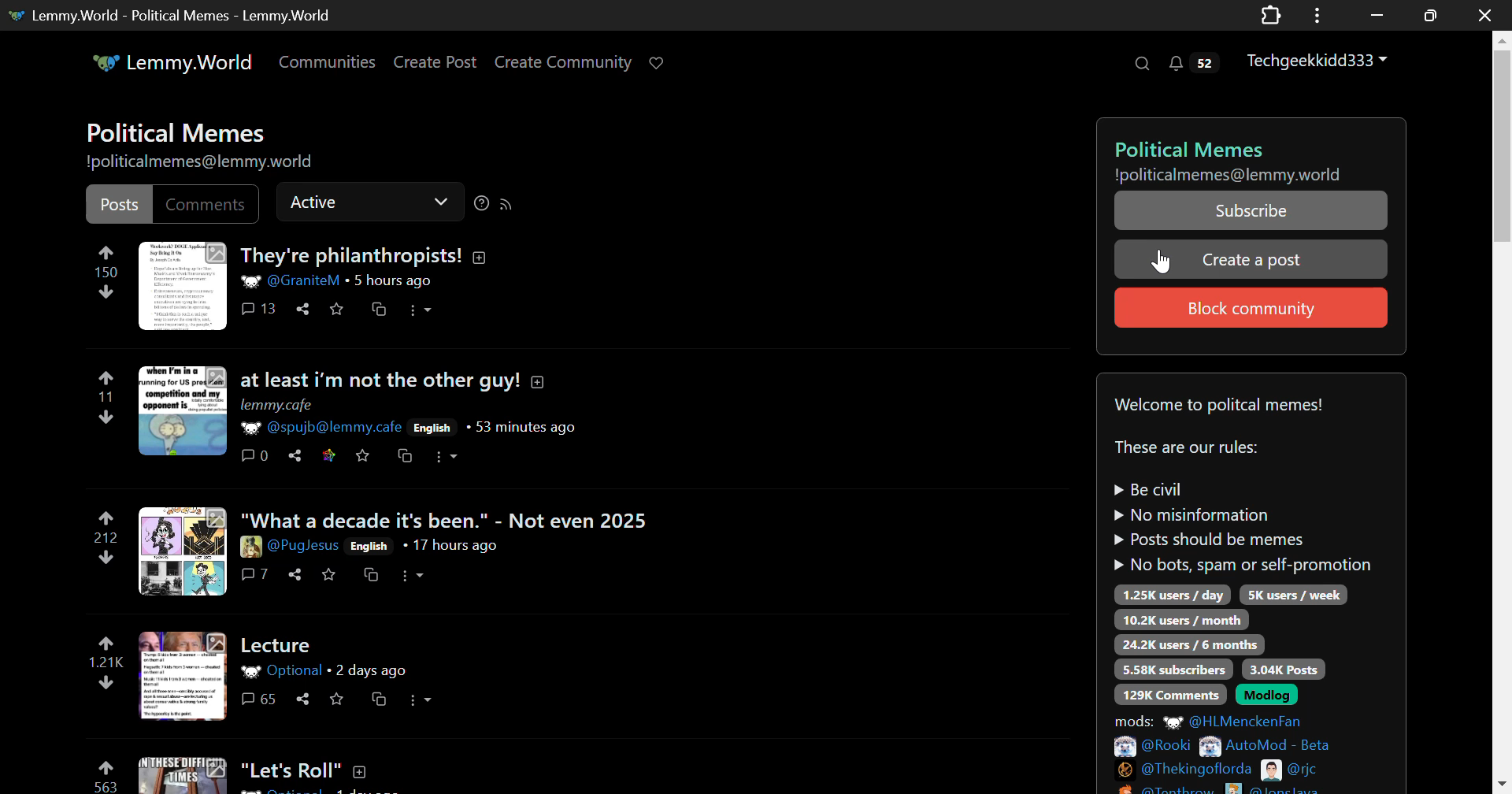  What do you see at coordinates (105, 398) in the screenshot?
I see `Post Vote Counter` at bounding box center [105, 398].